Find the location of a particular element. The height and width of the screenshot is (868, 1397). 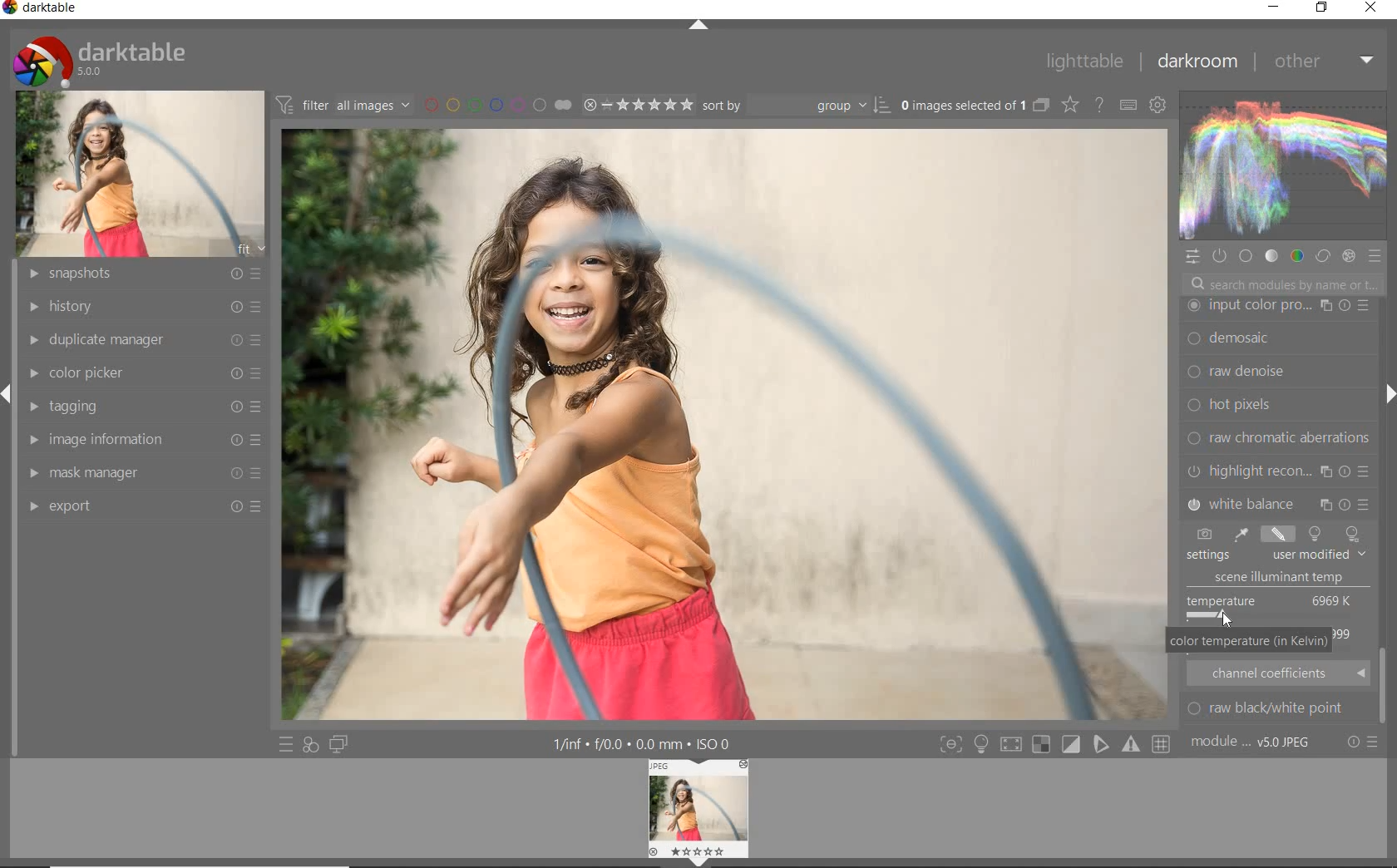

define keyboard shortcut is located at coordinates (1128, 105).